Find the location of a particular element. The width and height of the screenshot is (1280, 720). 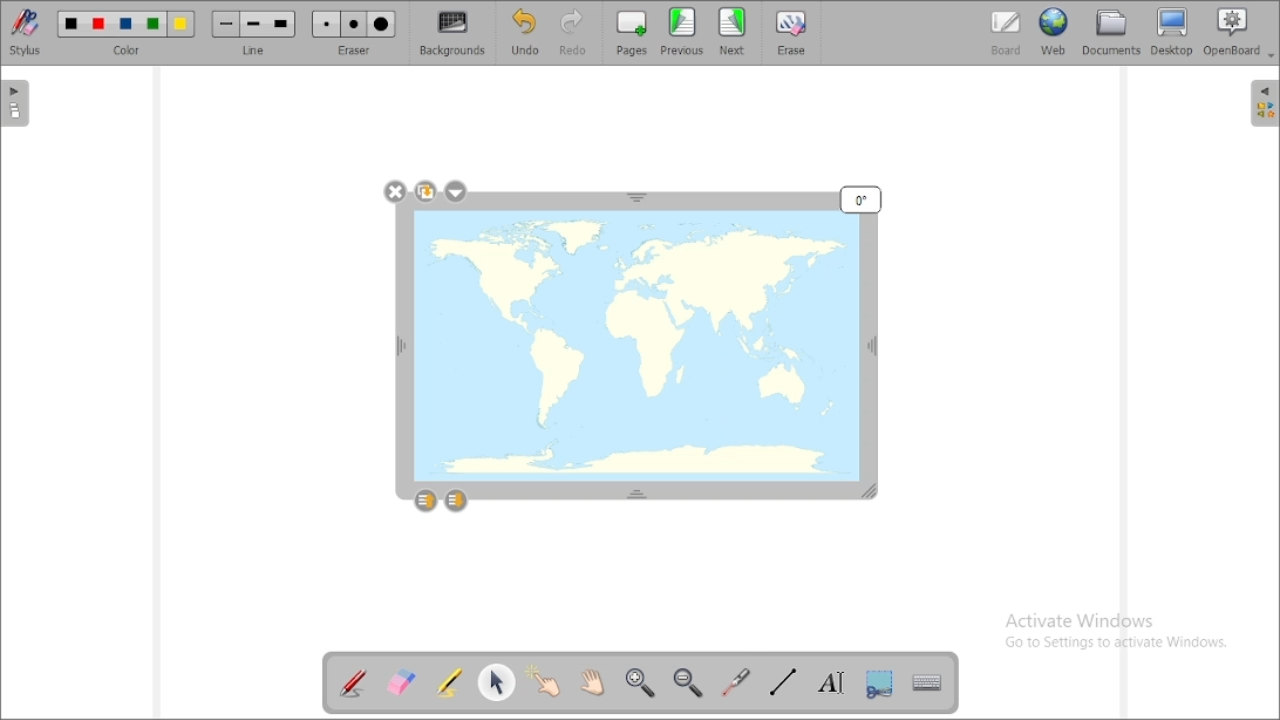

duplicate is located at coordinates (425, 192).